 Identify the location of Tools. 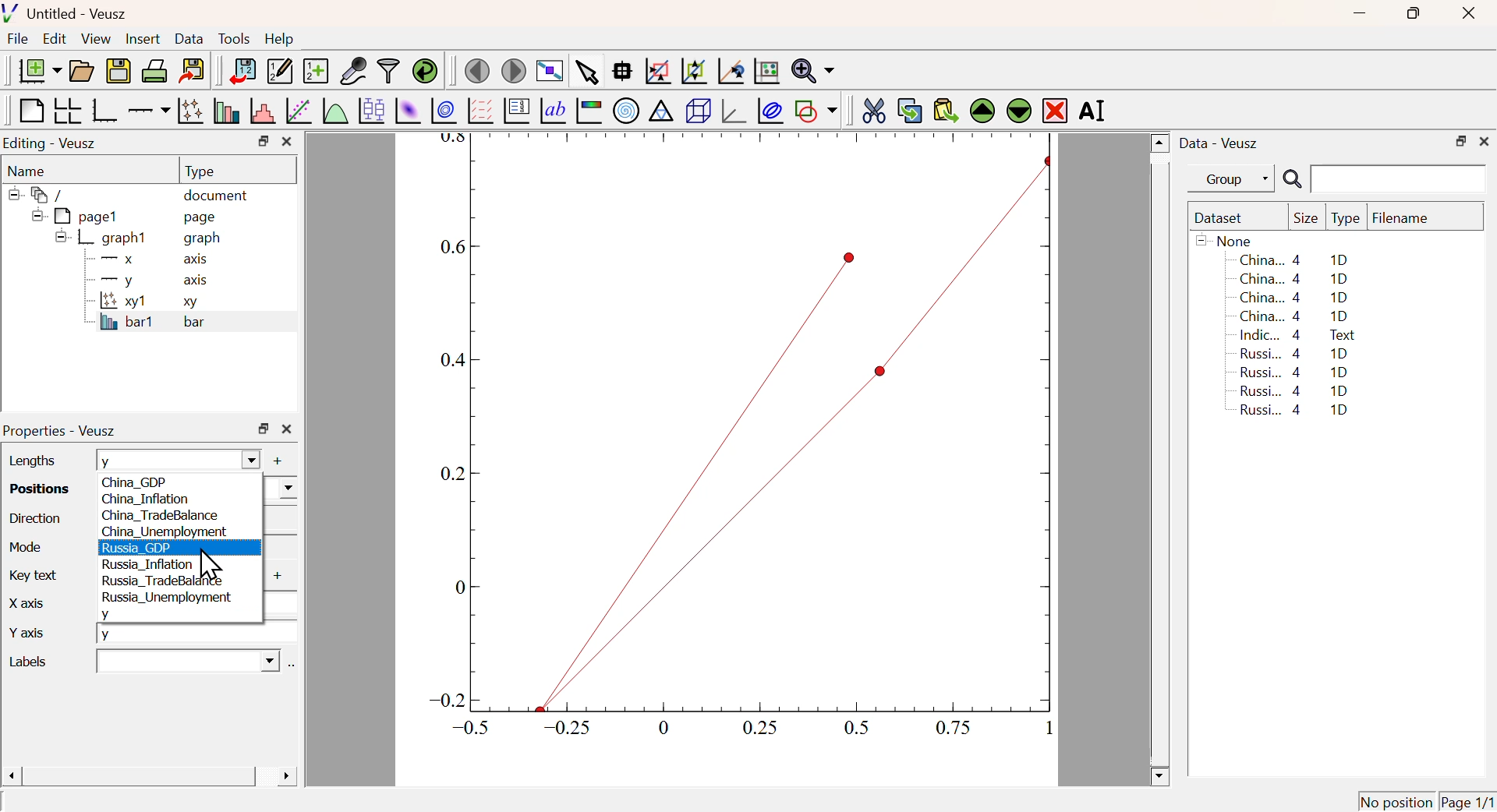
(234, 40).